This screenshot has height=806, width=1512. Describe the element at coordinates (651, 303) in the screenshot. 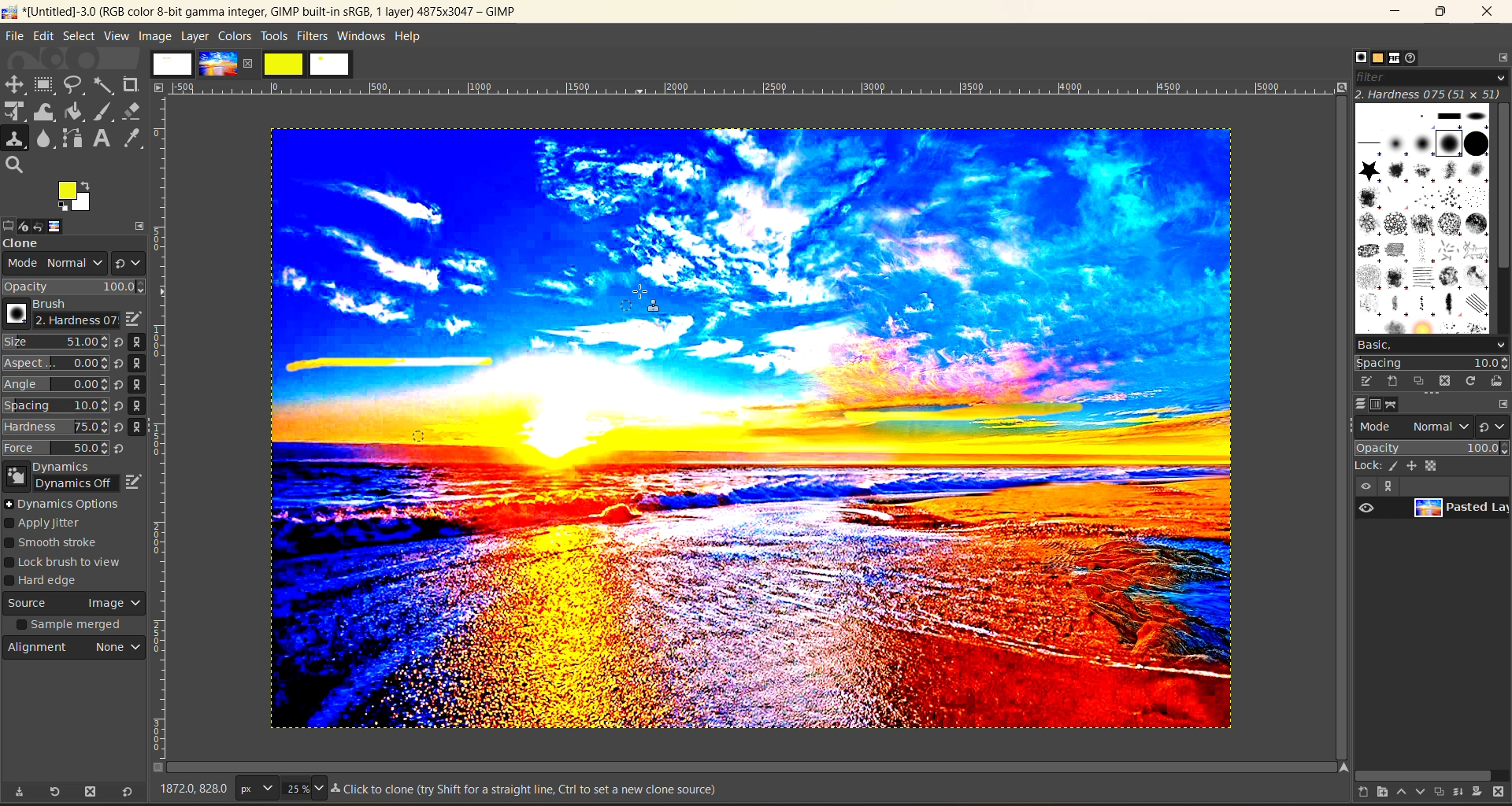

I see `cursor` at that location.